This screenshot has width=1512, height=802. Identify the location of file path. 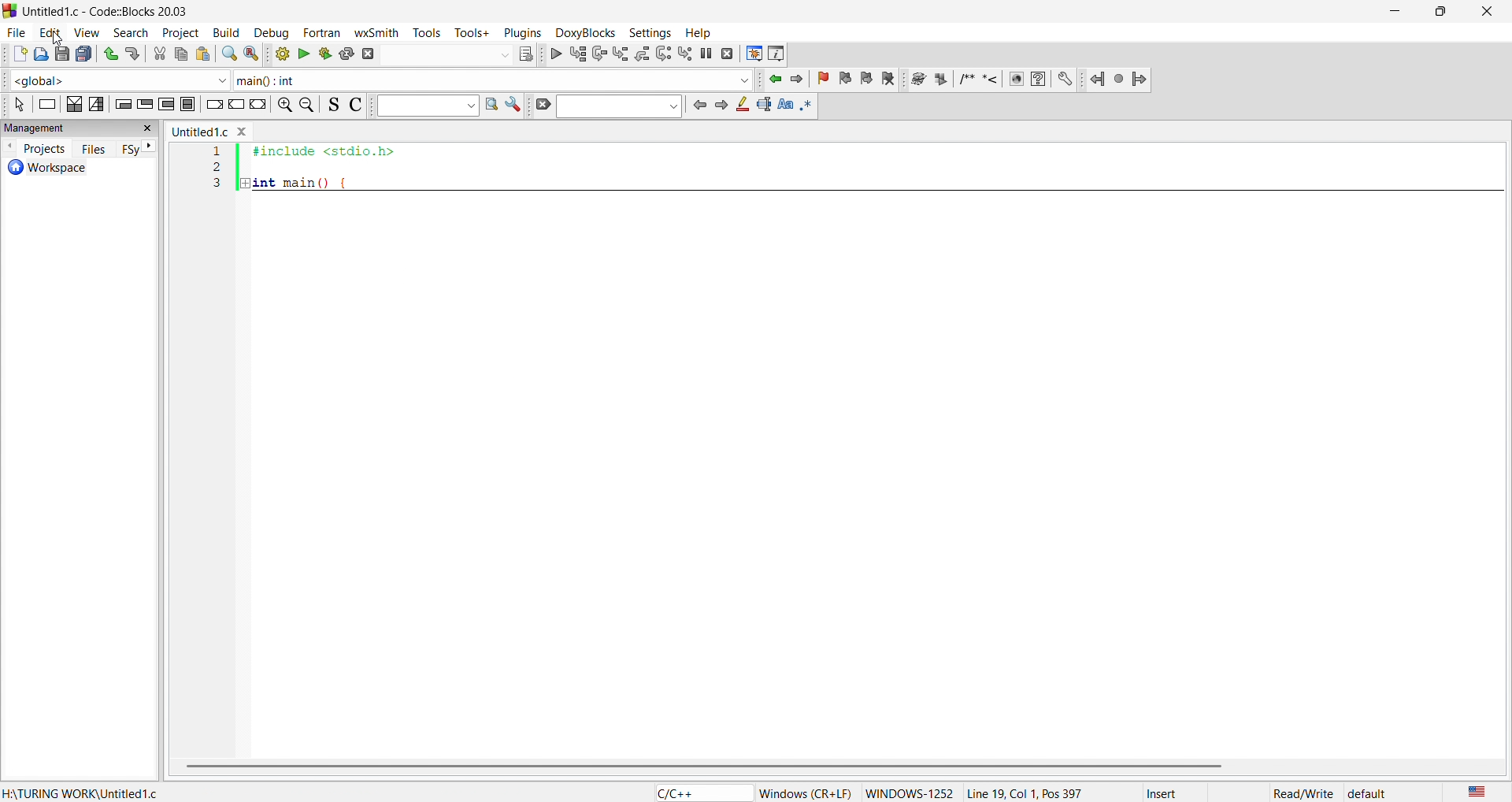
(80, 793).